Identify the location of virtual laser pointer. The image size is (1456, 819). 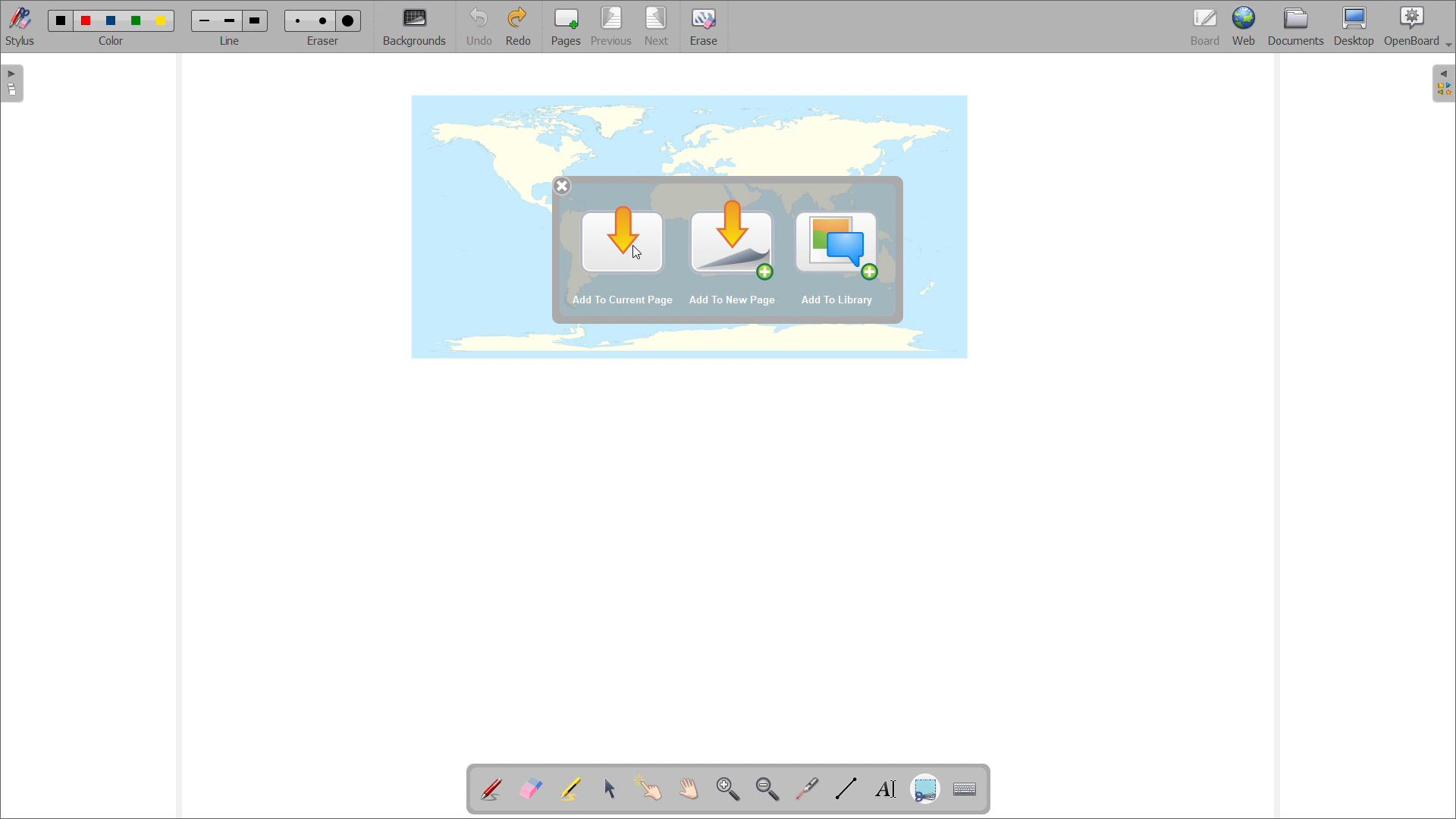
(806, 789).